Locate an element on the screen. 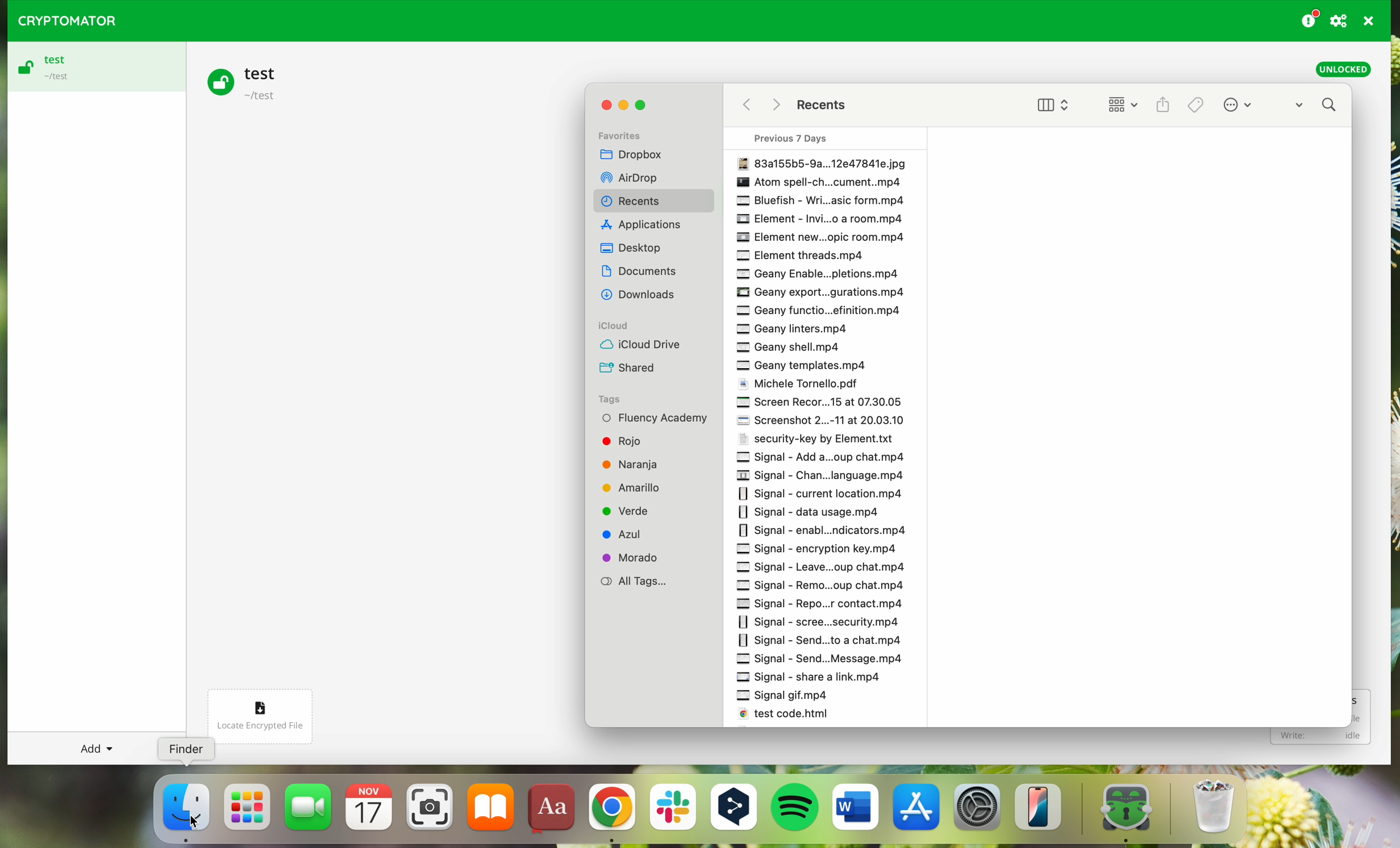 The width and height of the screenshot is (1400, 848). Spotify is located at coordinates (797, 809).